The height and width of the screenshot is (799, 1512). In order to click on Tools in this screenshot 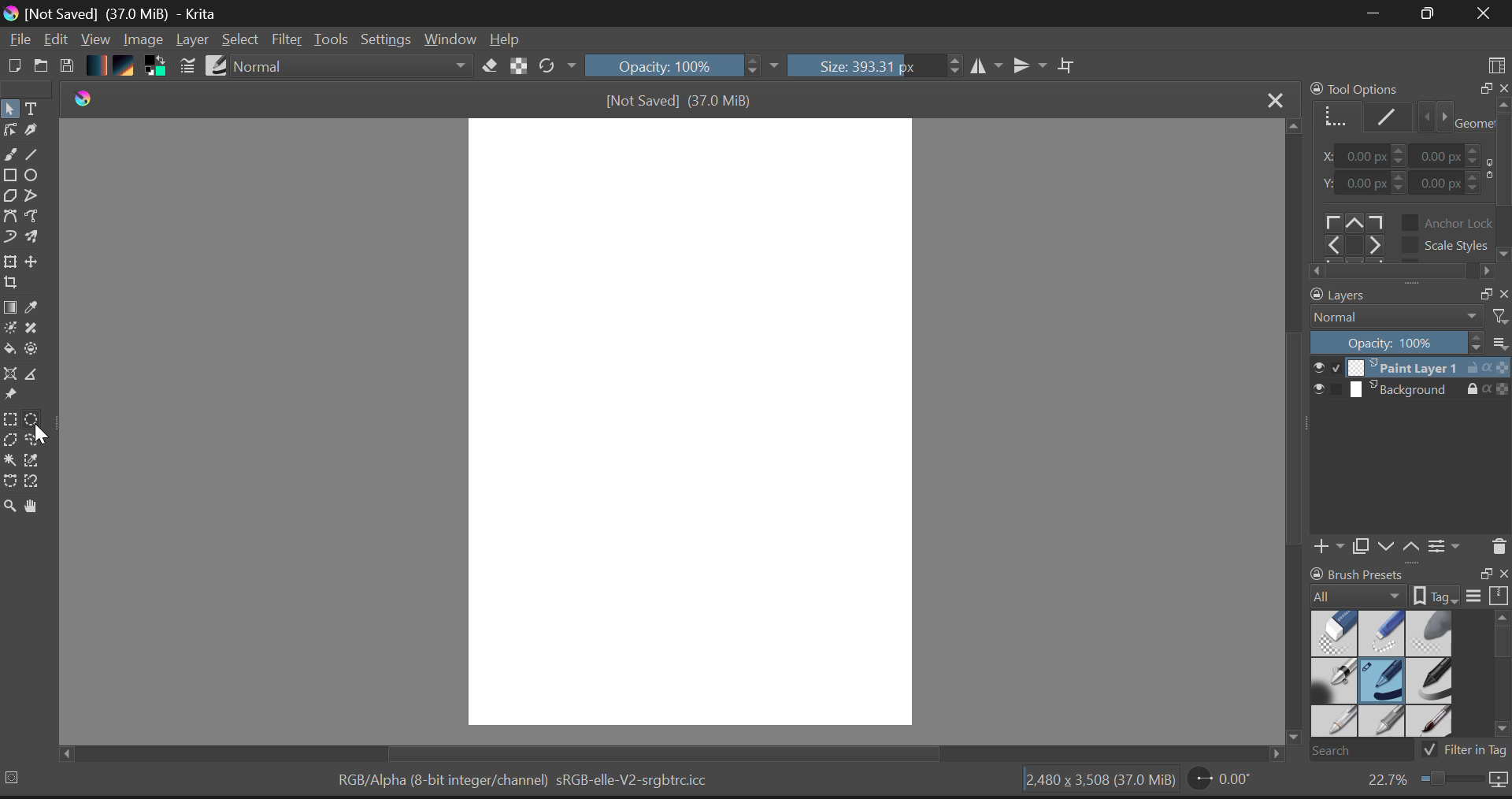, I will do `click(332, 39)`.